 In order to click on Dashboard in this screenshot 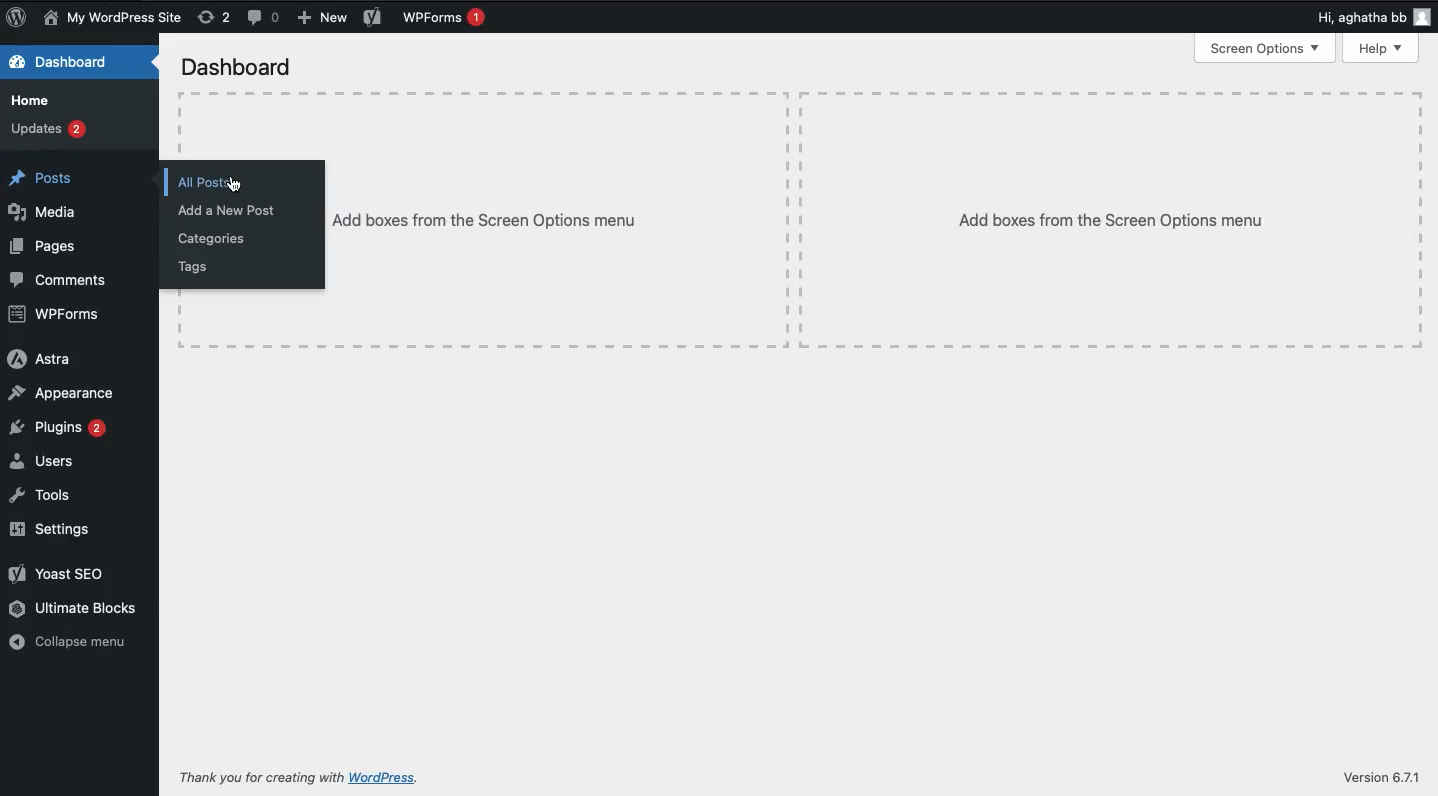, I will do `click(64, 62)`.